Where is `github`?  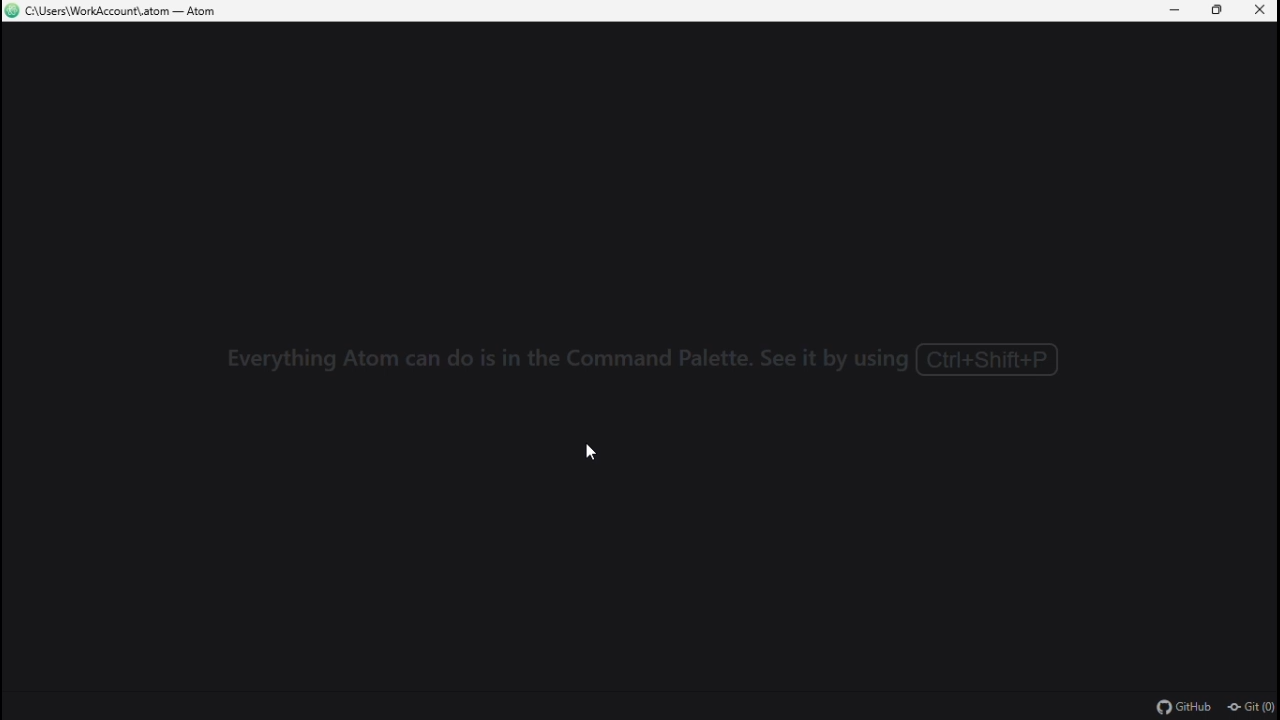 github is located at coordinates (1184, 706).